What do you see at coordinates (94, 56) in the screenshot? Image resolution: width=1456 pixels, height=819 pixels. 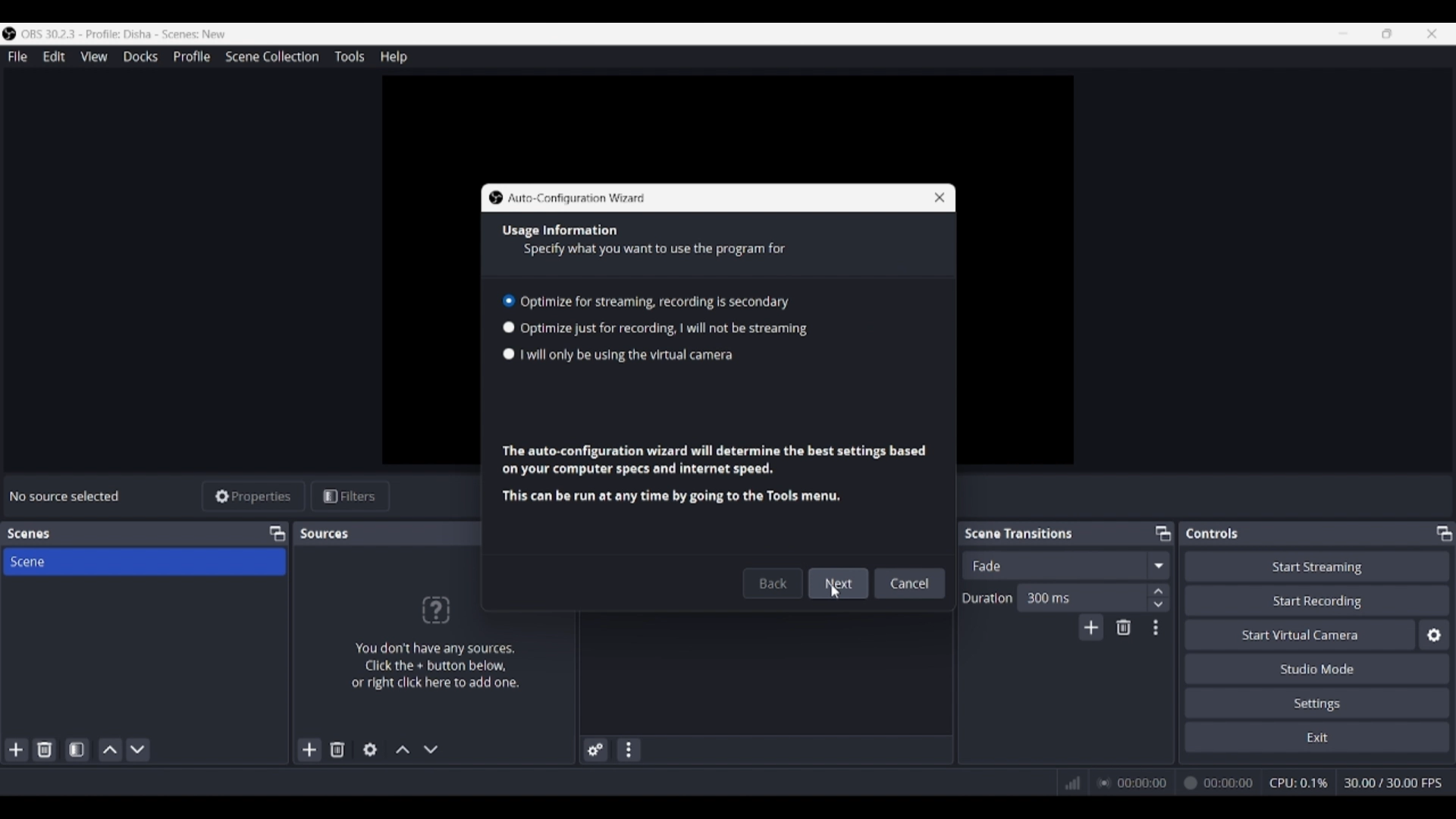 I see `View menu` at bounding box center [94, 56].